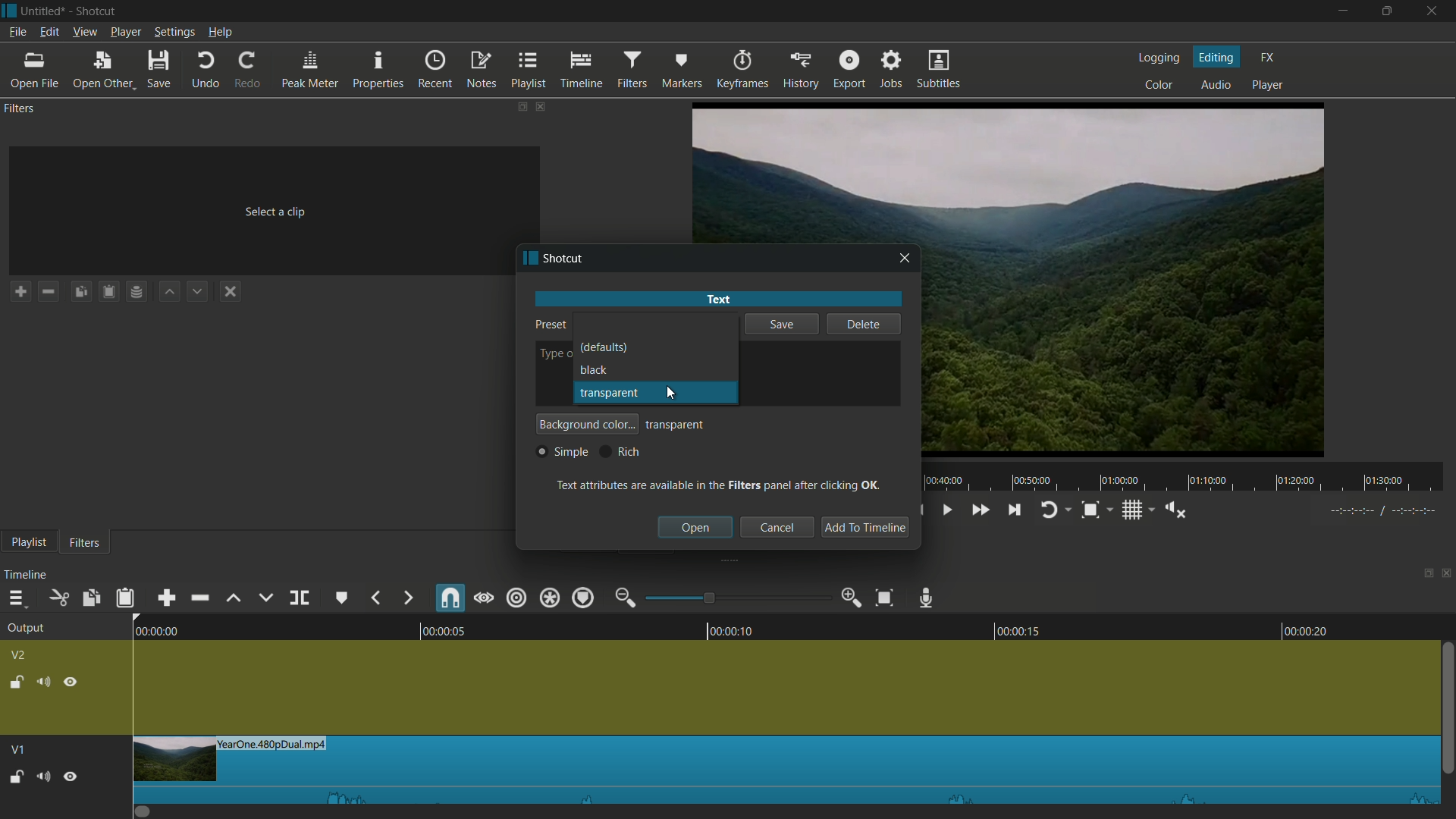  Describe the element at coordinates (1313, 630) in the screenshot. I see `00:00:20` at that location.